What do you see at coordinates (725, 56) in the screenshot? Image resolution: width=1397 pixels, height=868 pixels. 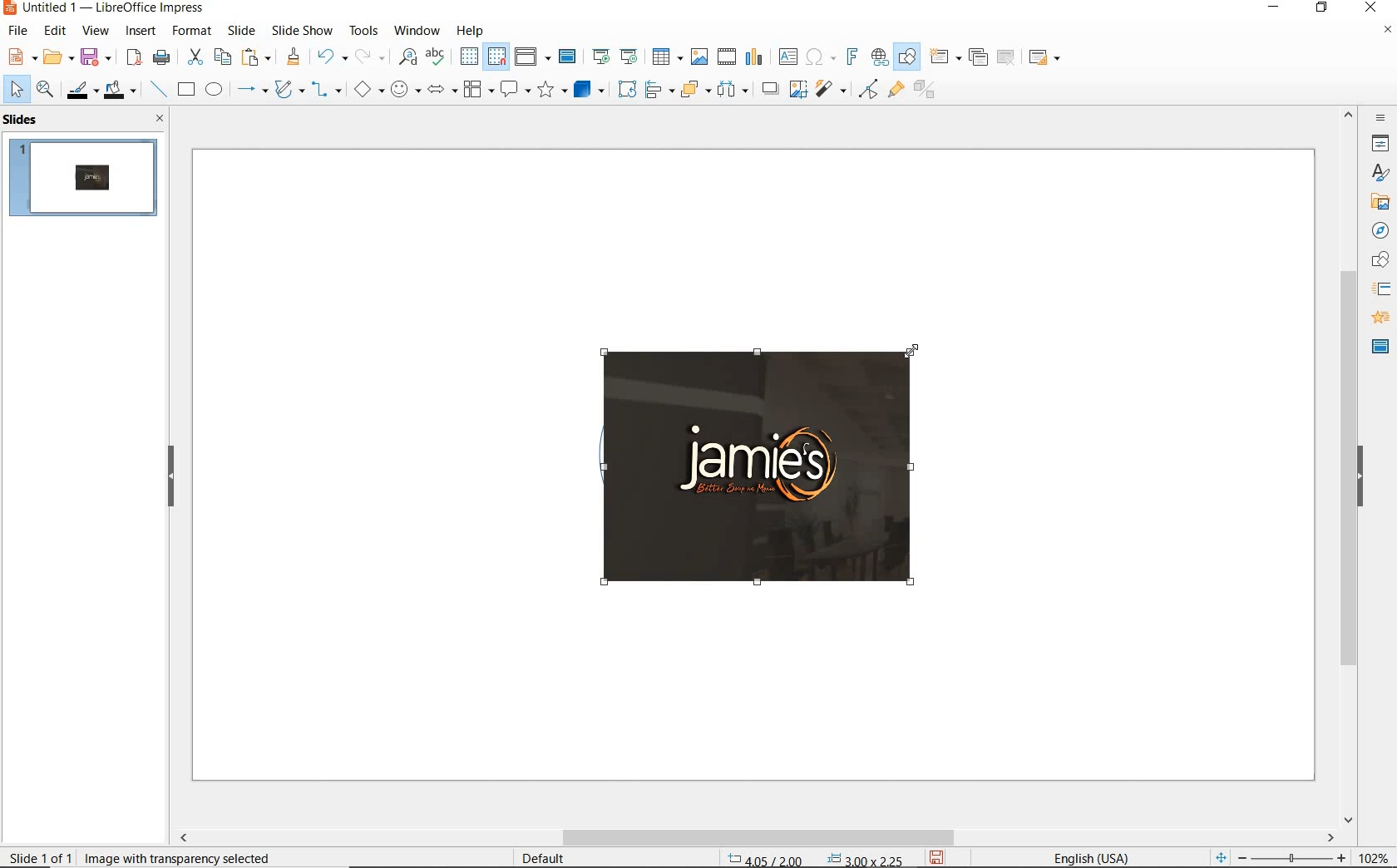 I see `insert video` at bounding box center [725, 56].